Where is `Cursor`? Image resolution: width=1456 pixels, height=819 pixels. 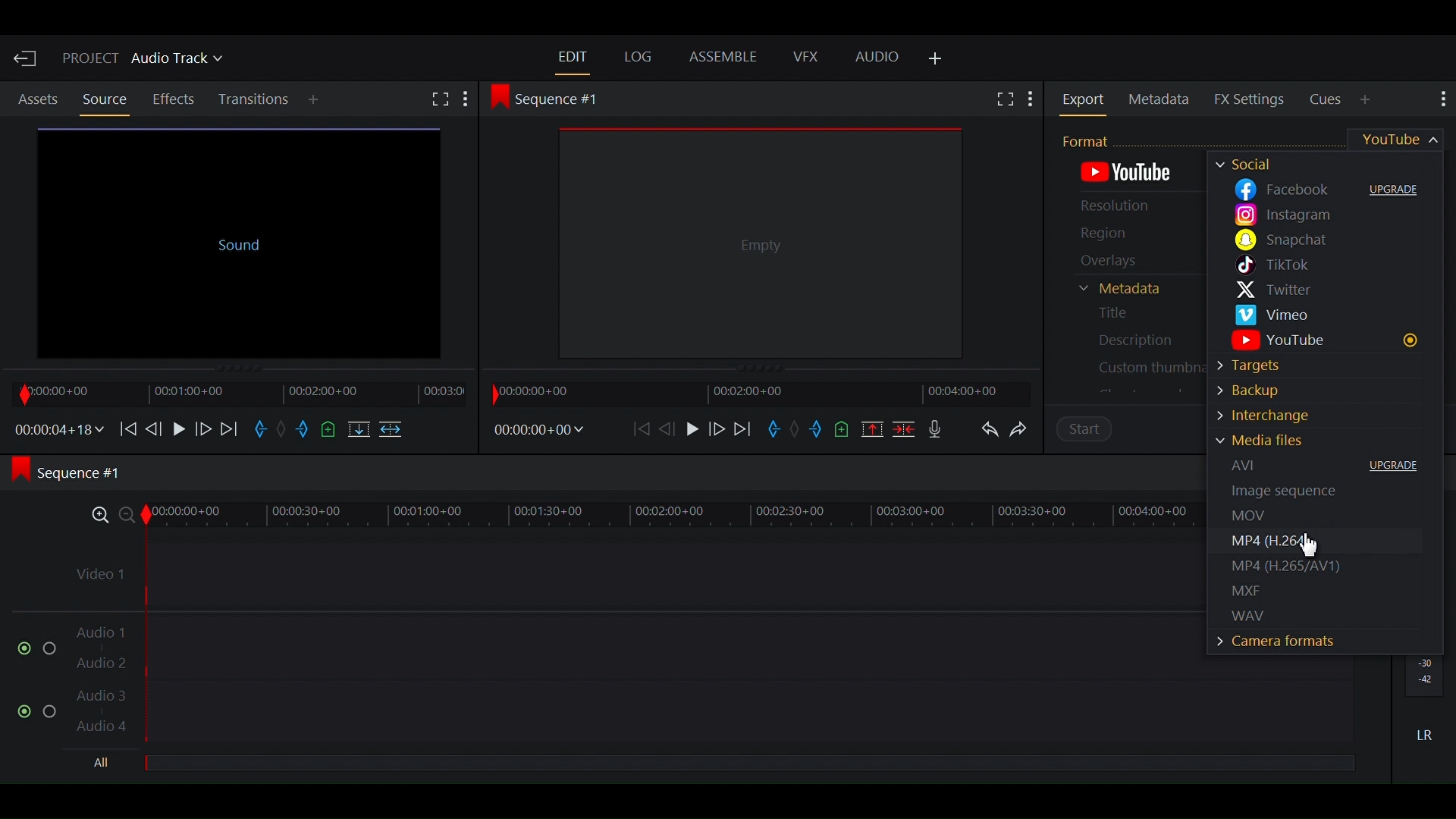 Cursor is located at coordinates (1311, 547).